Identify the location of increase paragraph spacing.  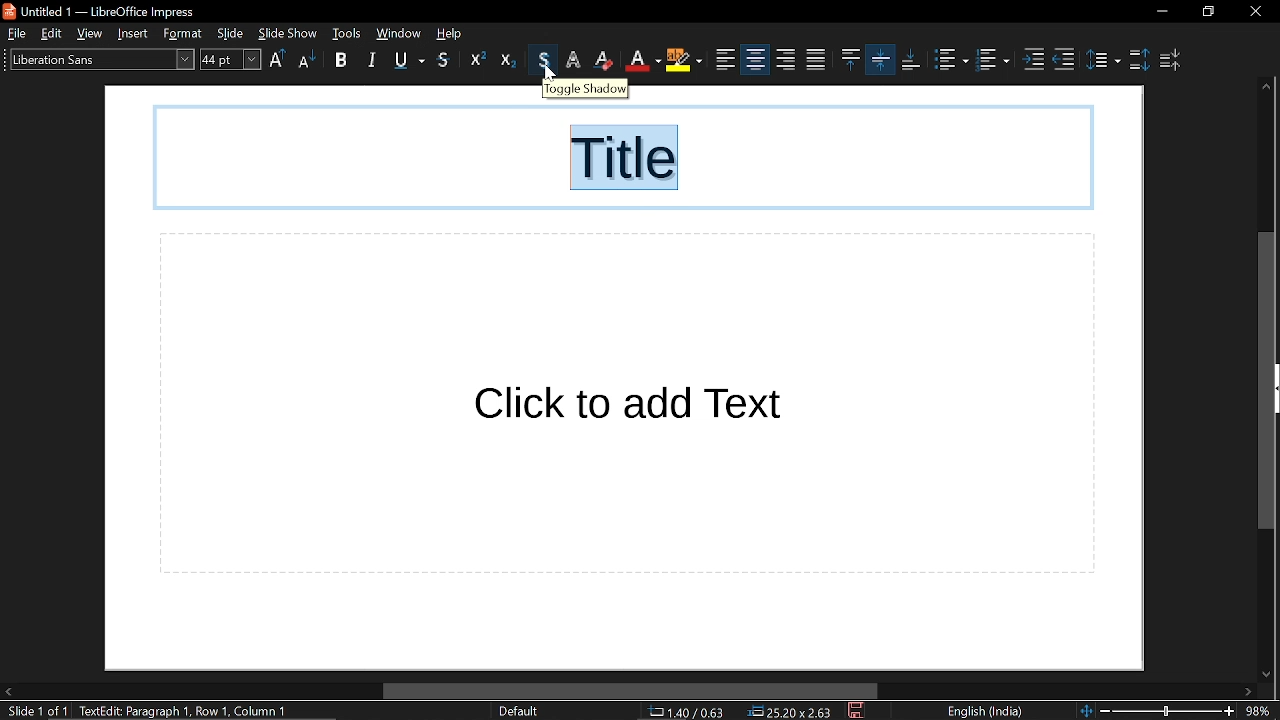
(1138, 58).